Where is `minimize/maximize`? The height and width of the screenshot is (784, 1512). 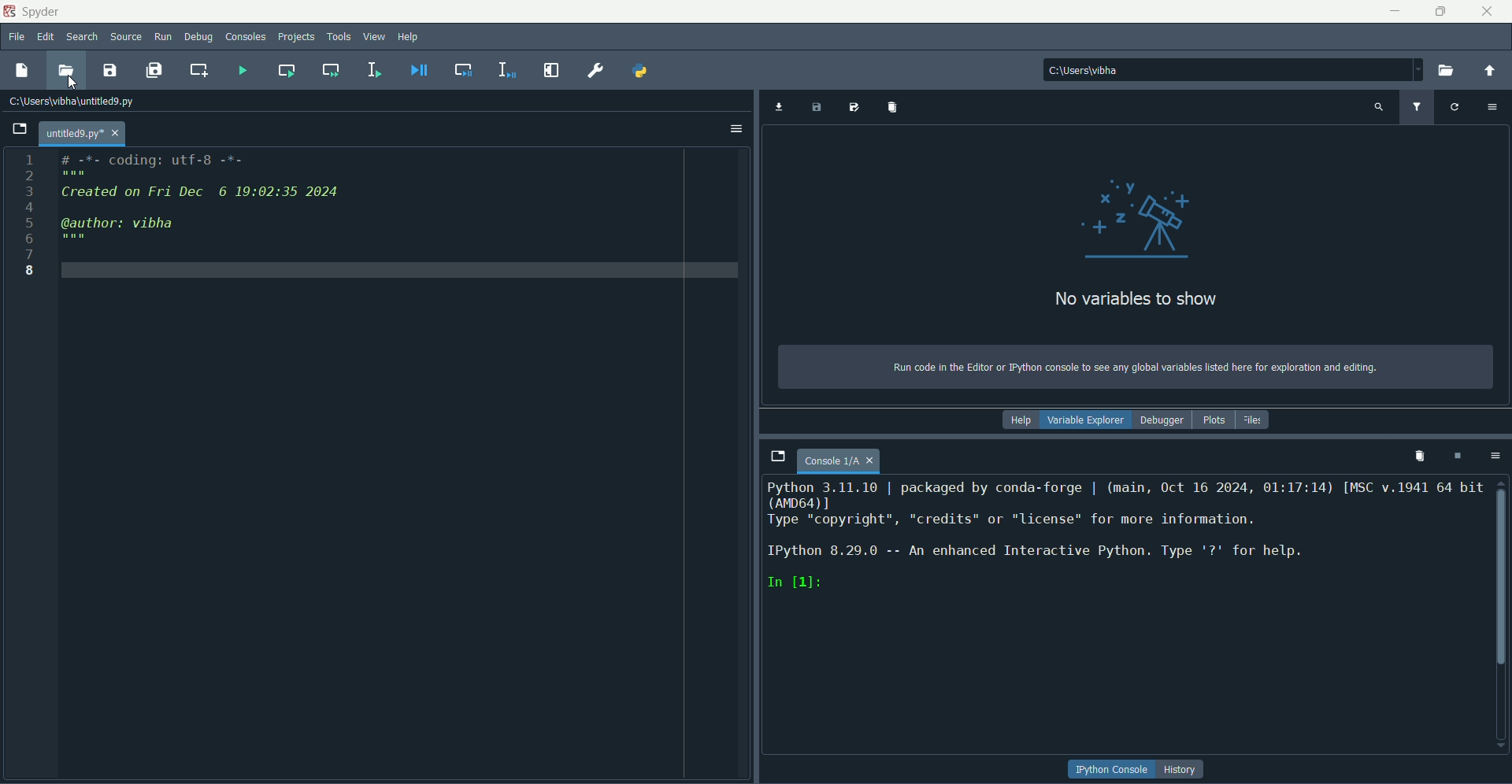 minimize/maximize is located at coordinates (1438, 11).